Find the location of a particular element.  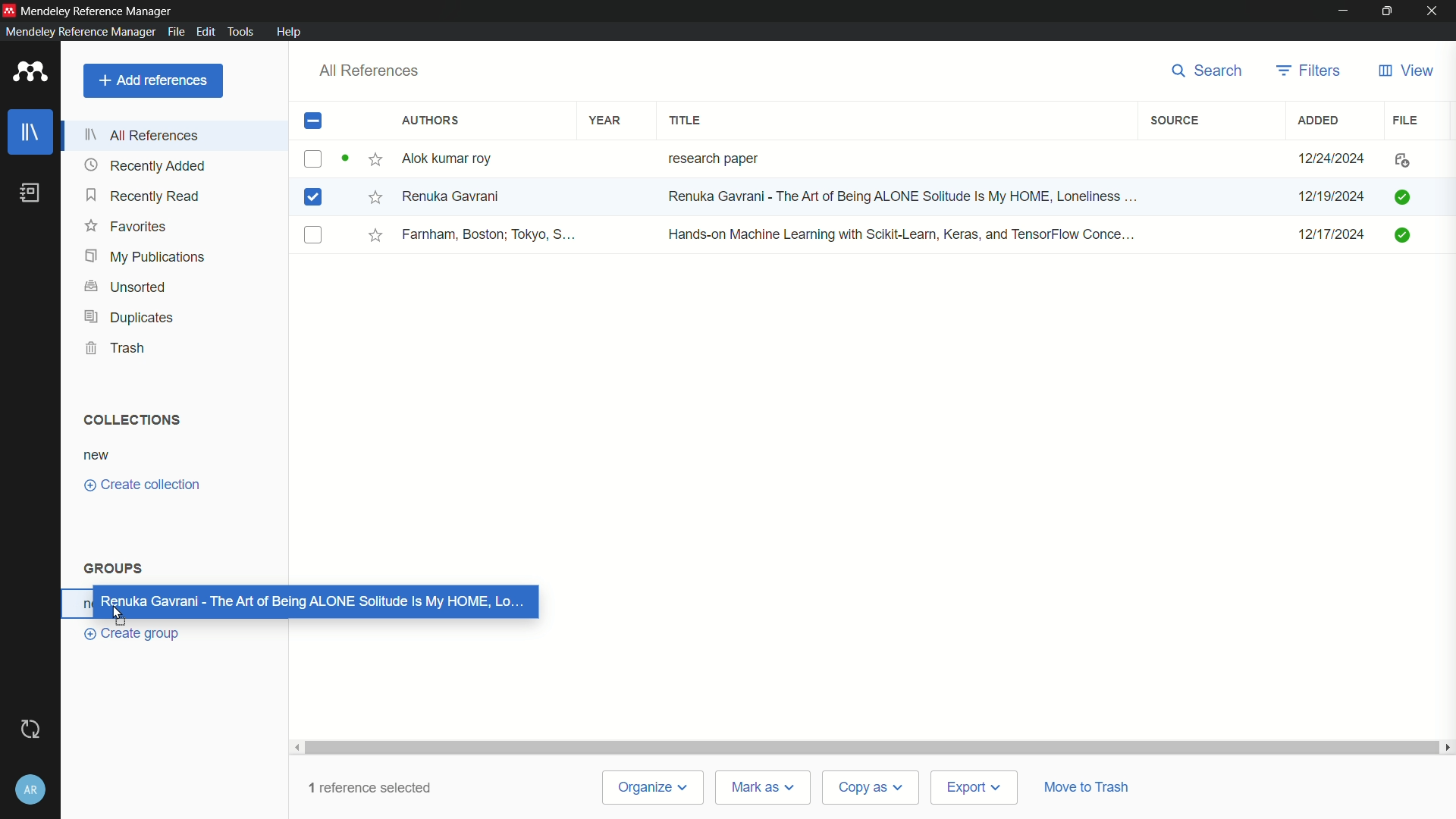

recently read is located at coordinates (144, 197).